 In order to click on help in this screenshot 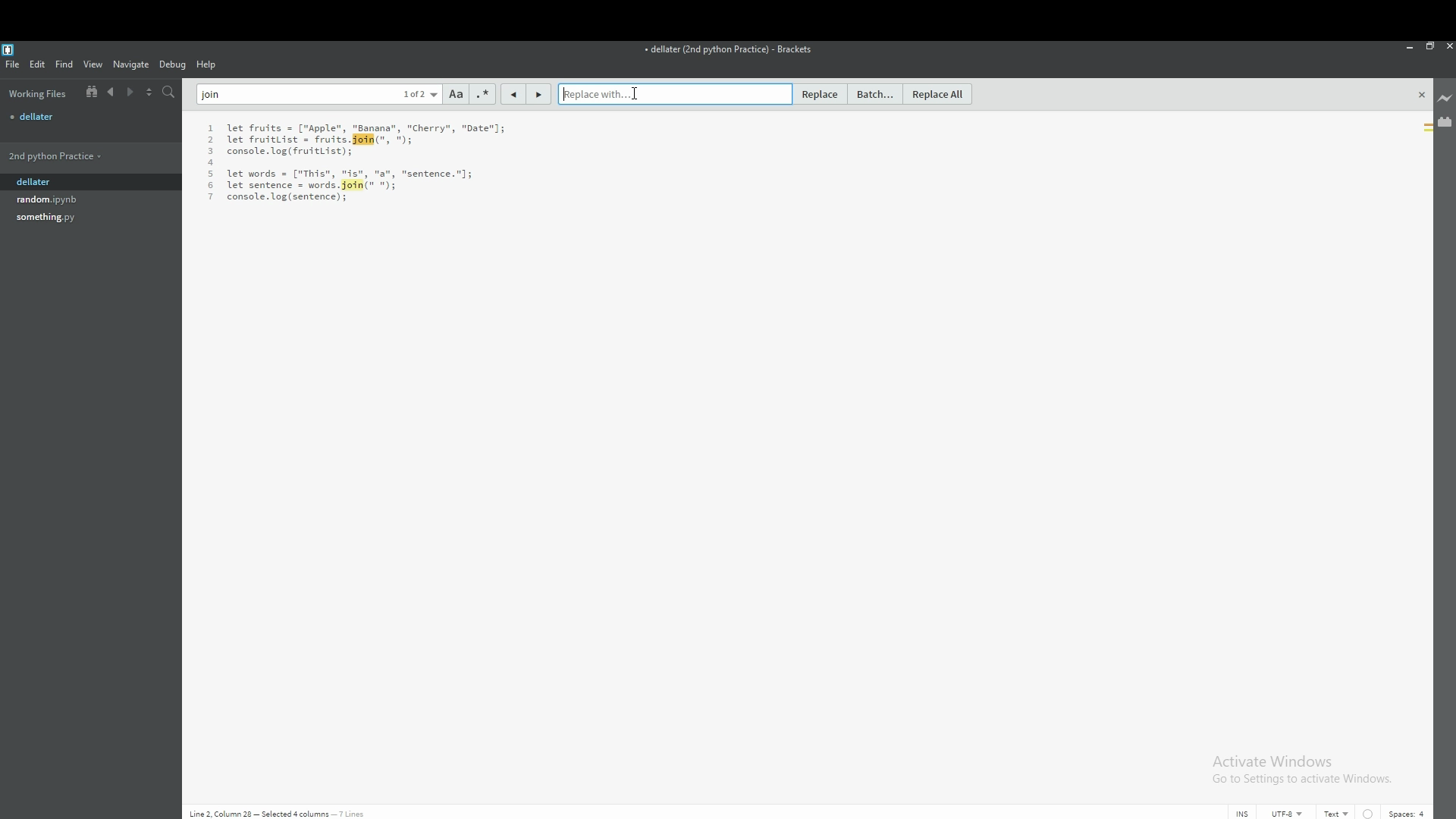, I will do `click(208, 65)`.